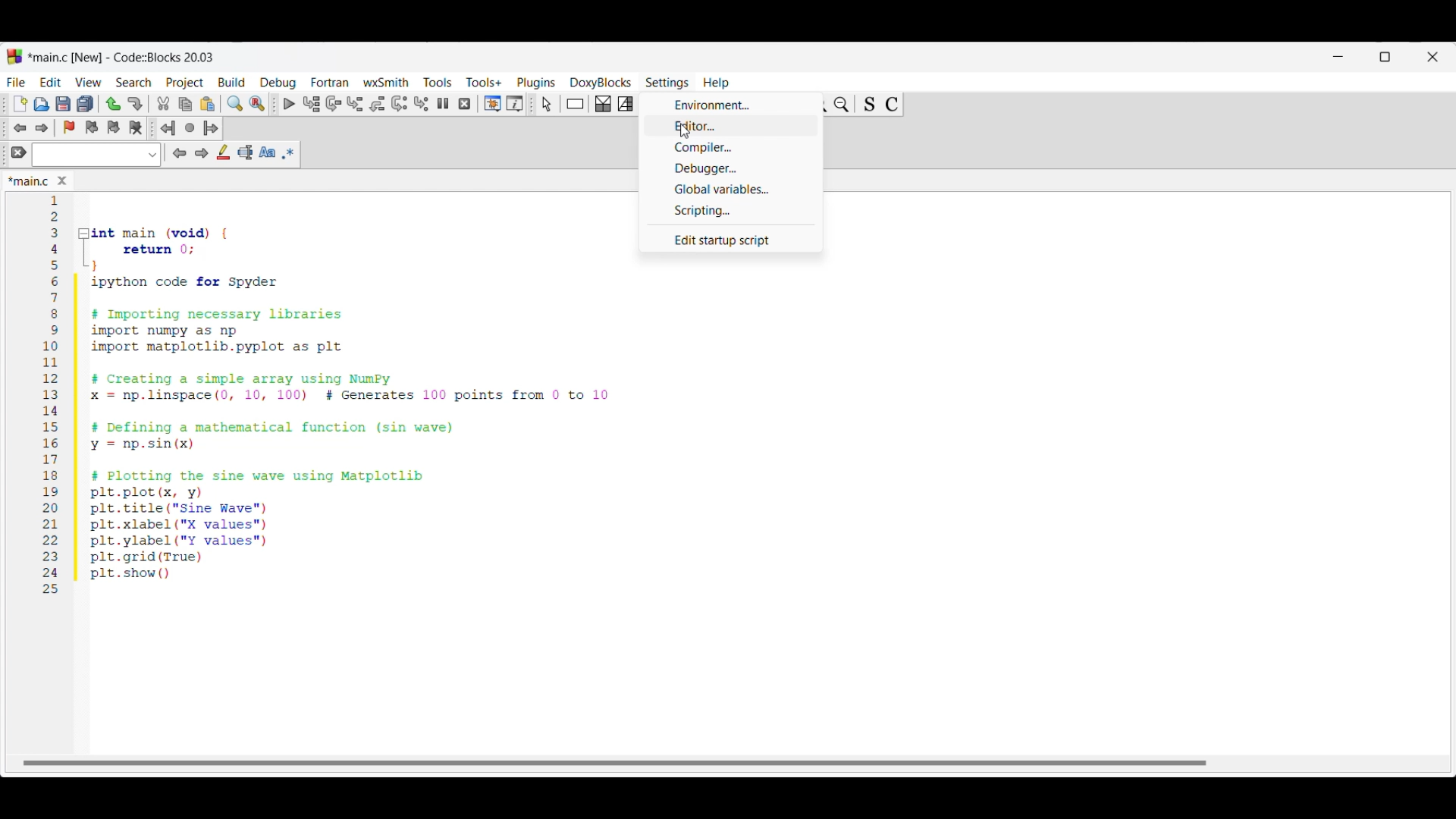 This screenshot has height=819, width=1456. I want to click on Scripting, so click(731, 211).